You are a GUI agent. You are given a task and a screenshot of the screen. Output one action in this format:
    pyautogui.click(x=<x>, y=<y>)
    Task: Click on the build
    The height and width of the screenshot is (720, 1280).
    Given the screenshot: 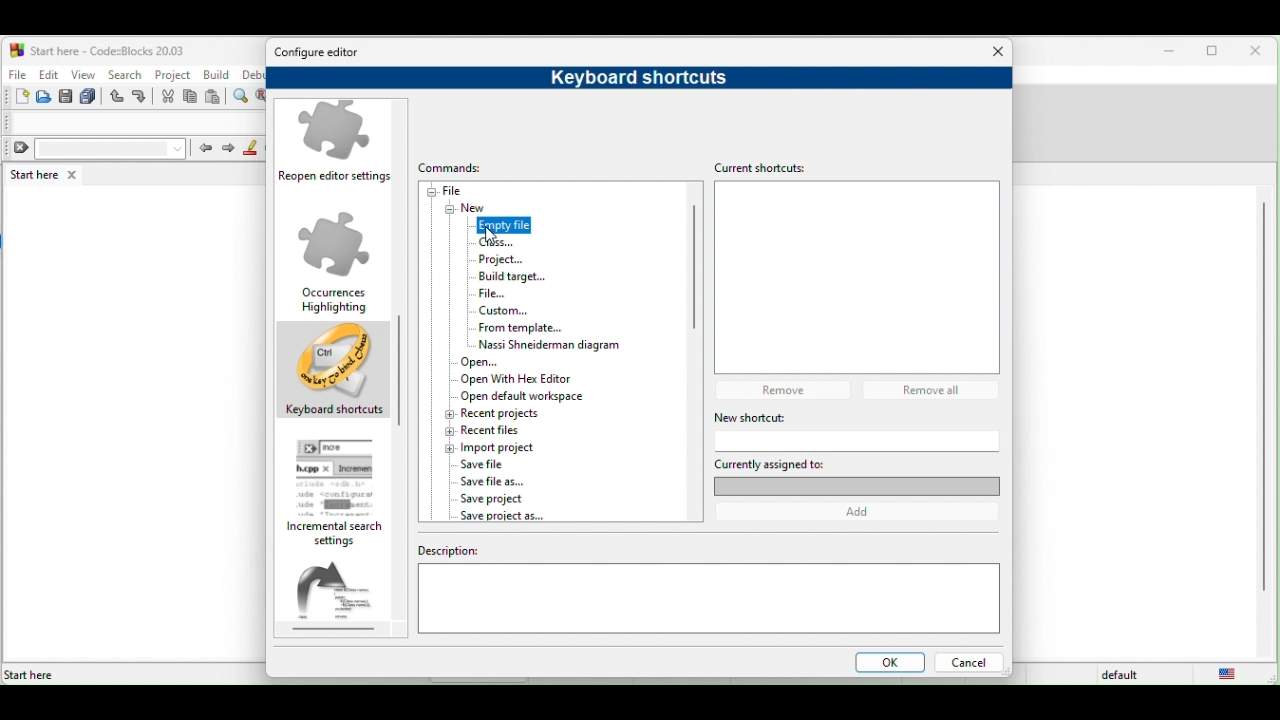 What is the action you would take?
    pyautogui.click(x=218, y=75)
    